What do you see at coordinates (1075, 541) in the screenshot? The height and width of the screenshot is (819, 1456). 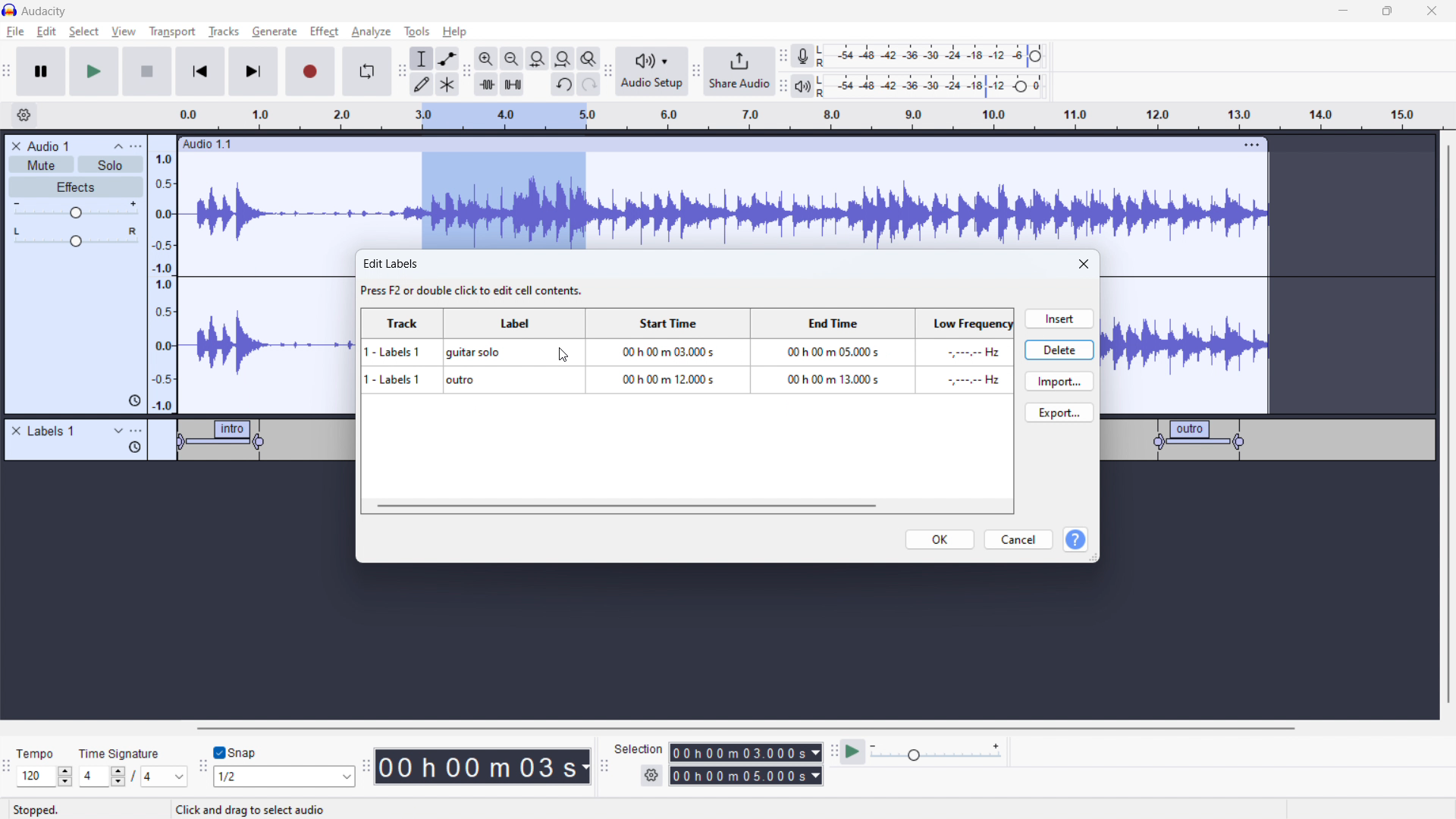 I see `help` at bounding box center [1075, 541].